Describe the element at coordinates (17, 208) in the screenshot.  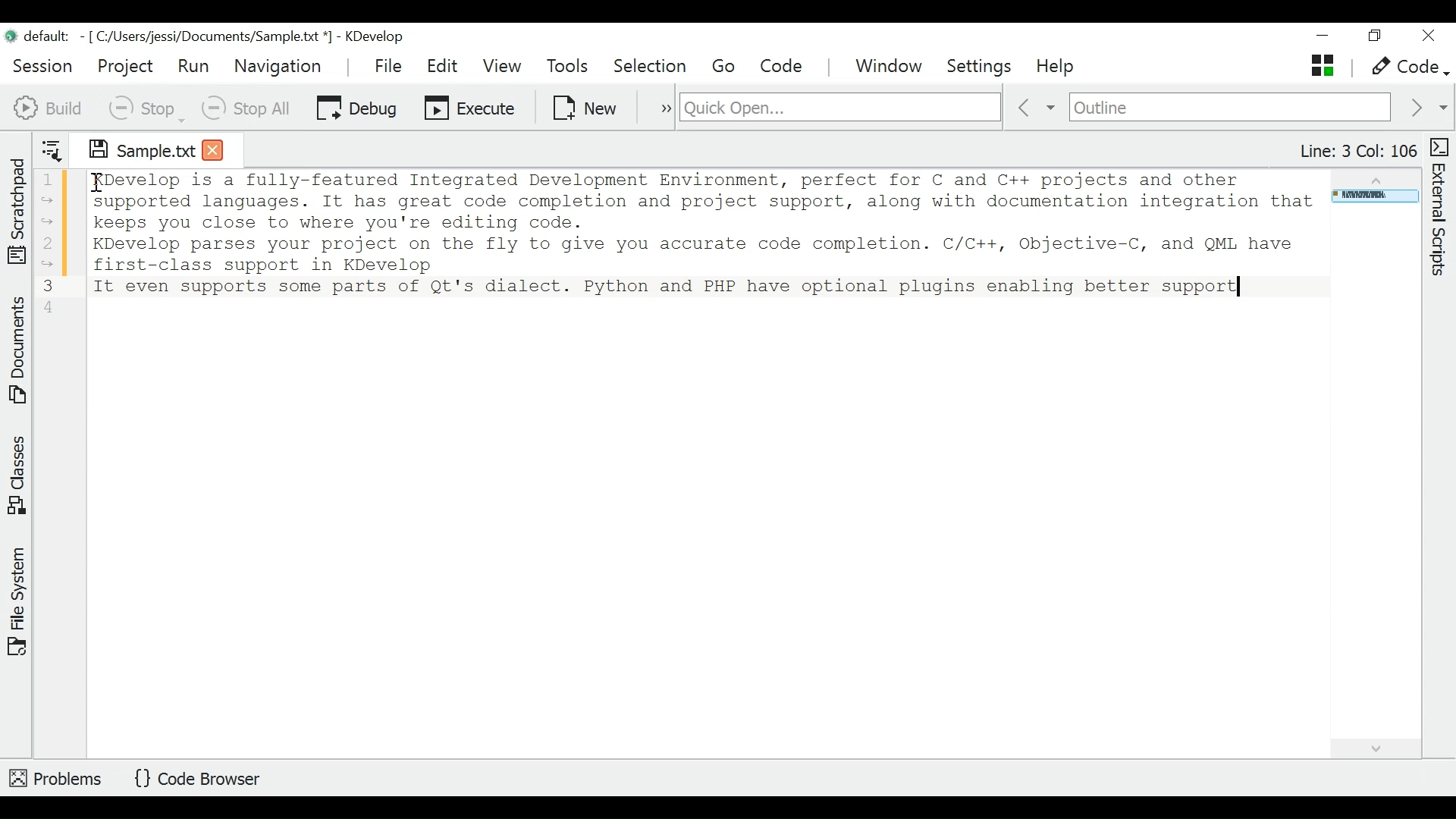
I see `Scratchpad` at that location.